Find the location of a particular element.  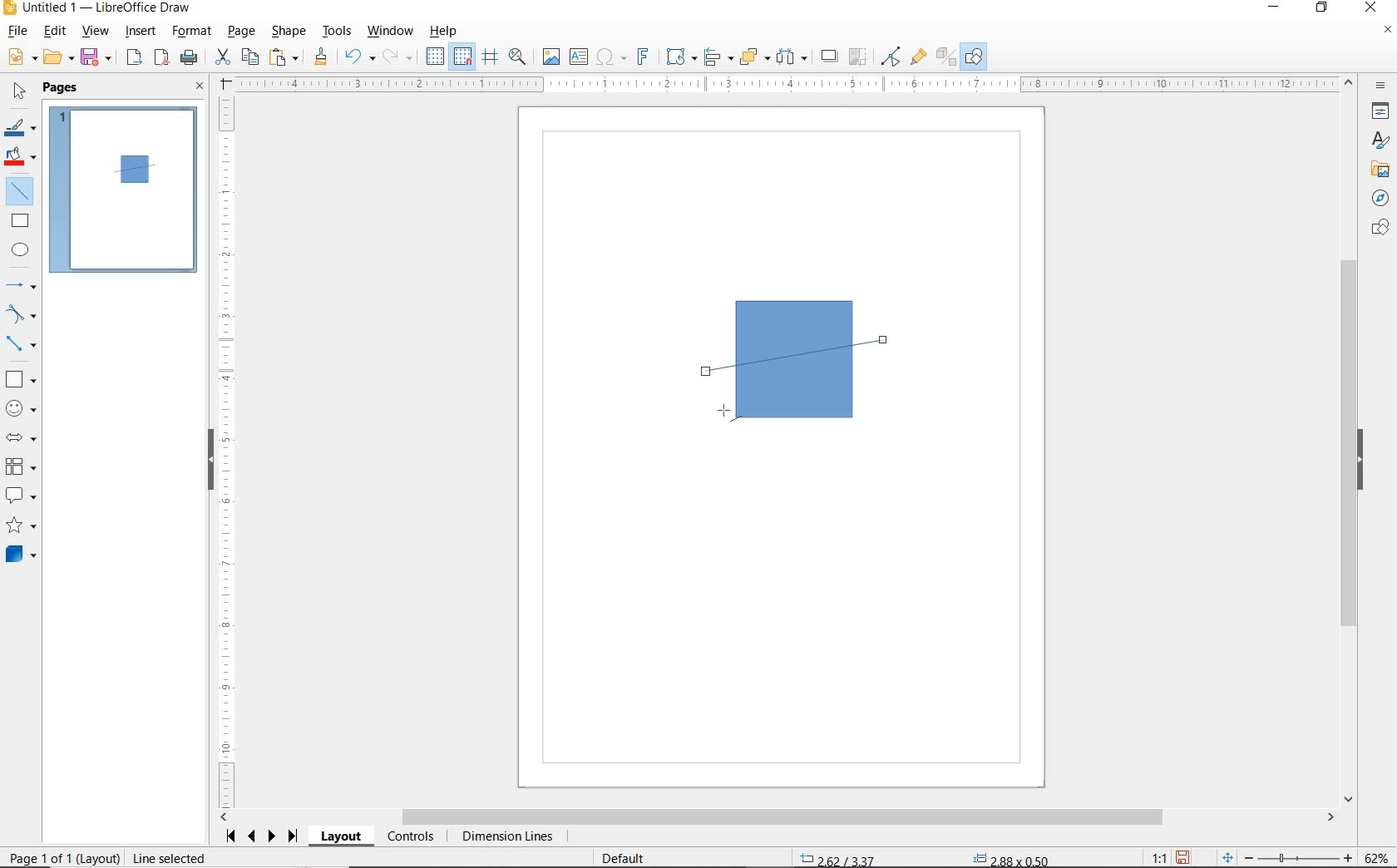

INSERT FRONTWORK TEXT is located at coordinates (642, 57).